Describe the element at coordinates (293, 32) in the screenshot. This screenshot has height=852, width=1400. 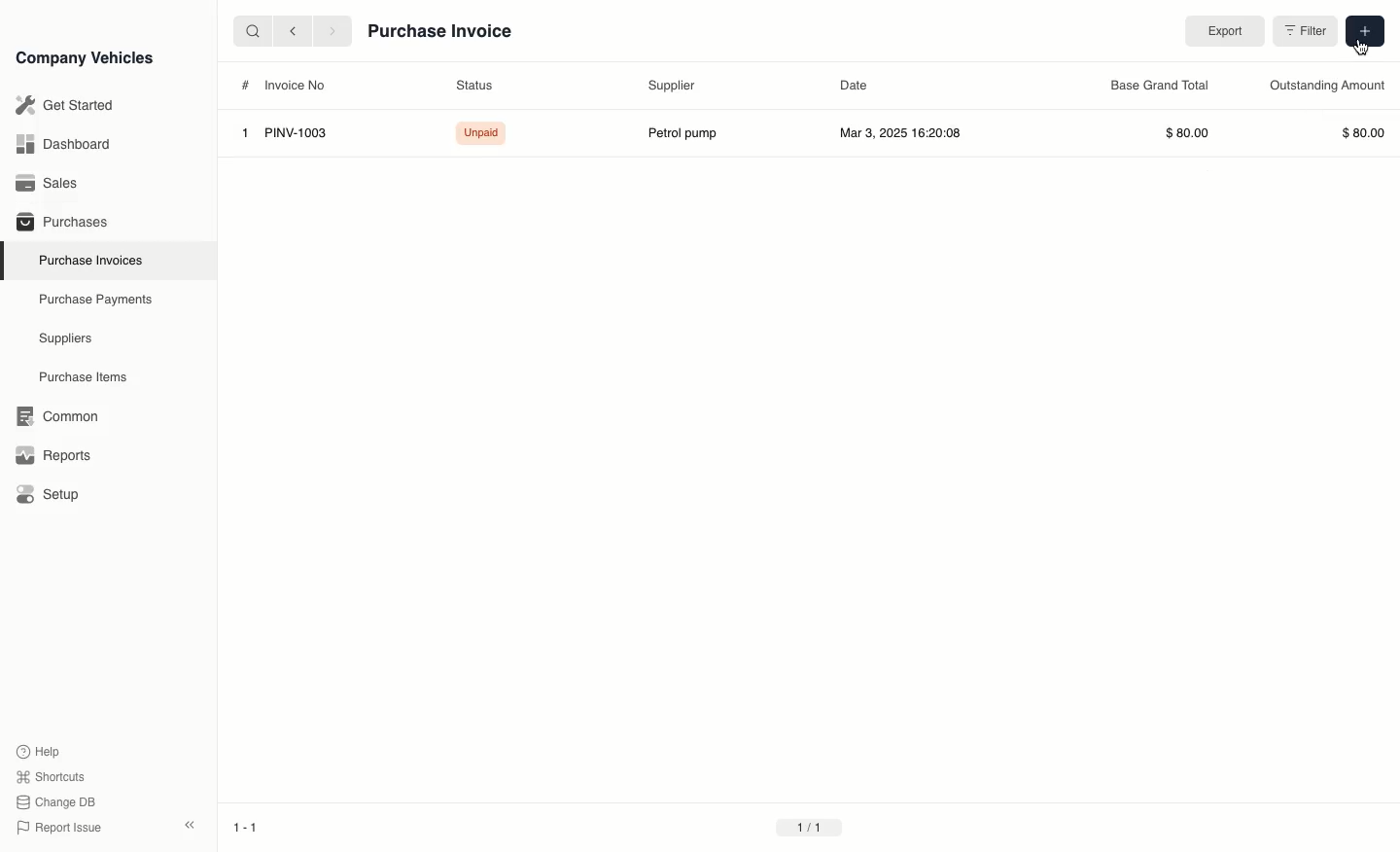
I see `back` at that location.